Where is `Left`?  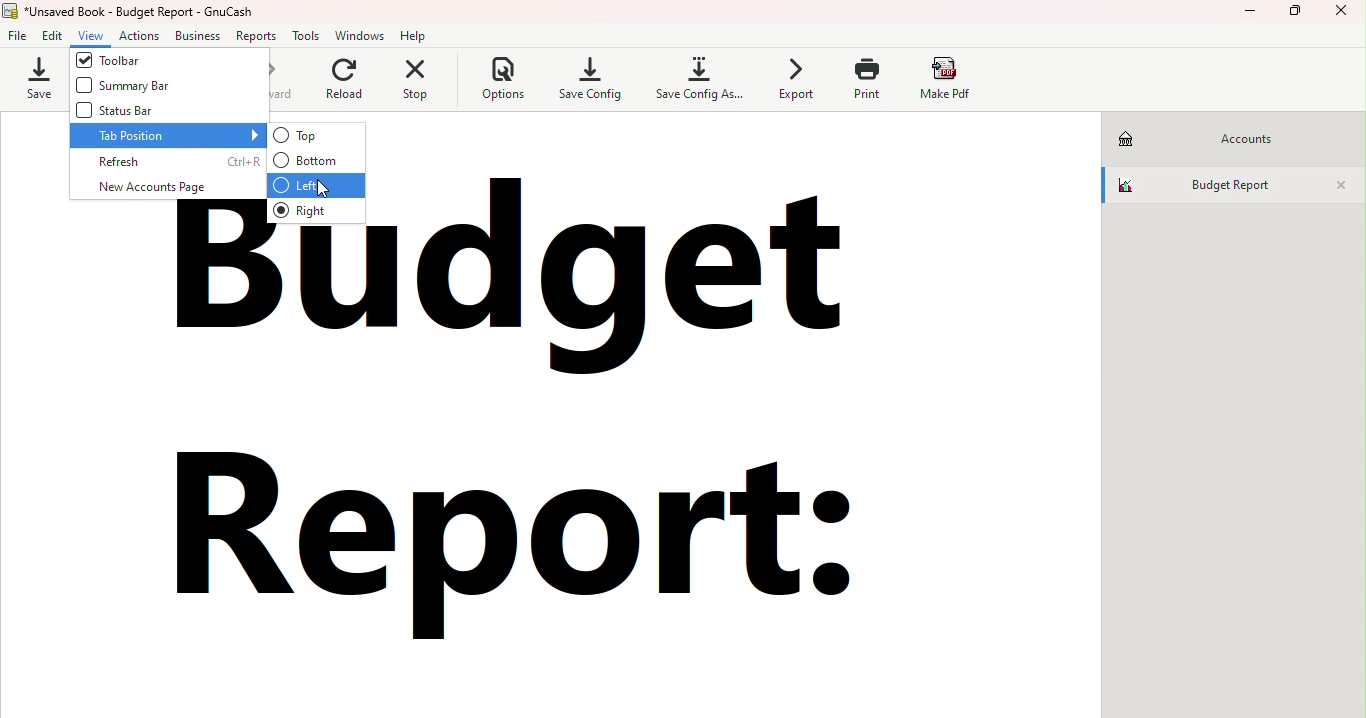 Left is located at coordinates (319, 183).